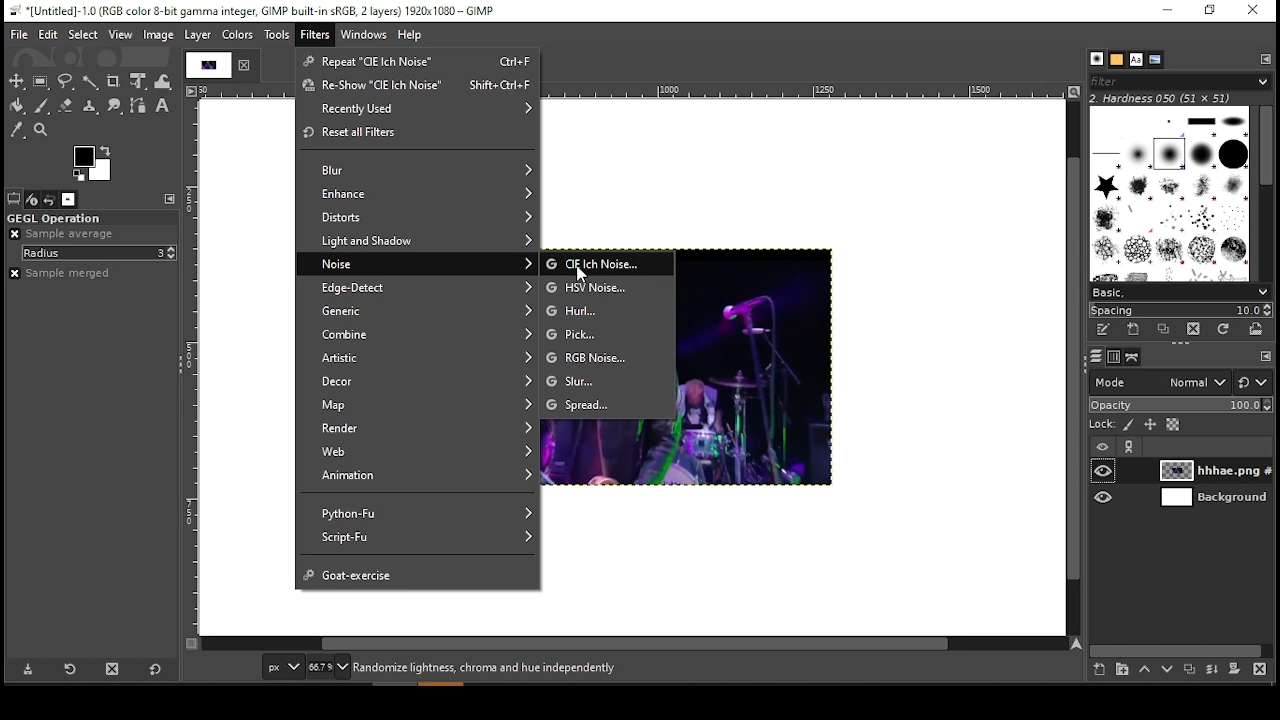 The height and width of the screenshot is (720, 1280). What do you see at coordinates (1134, 356) in the screenshot?
I see `paths` at bounding box center [1134, 356].